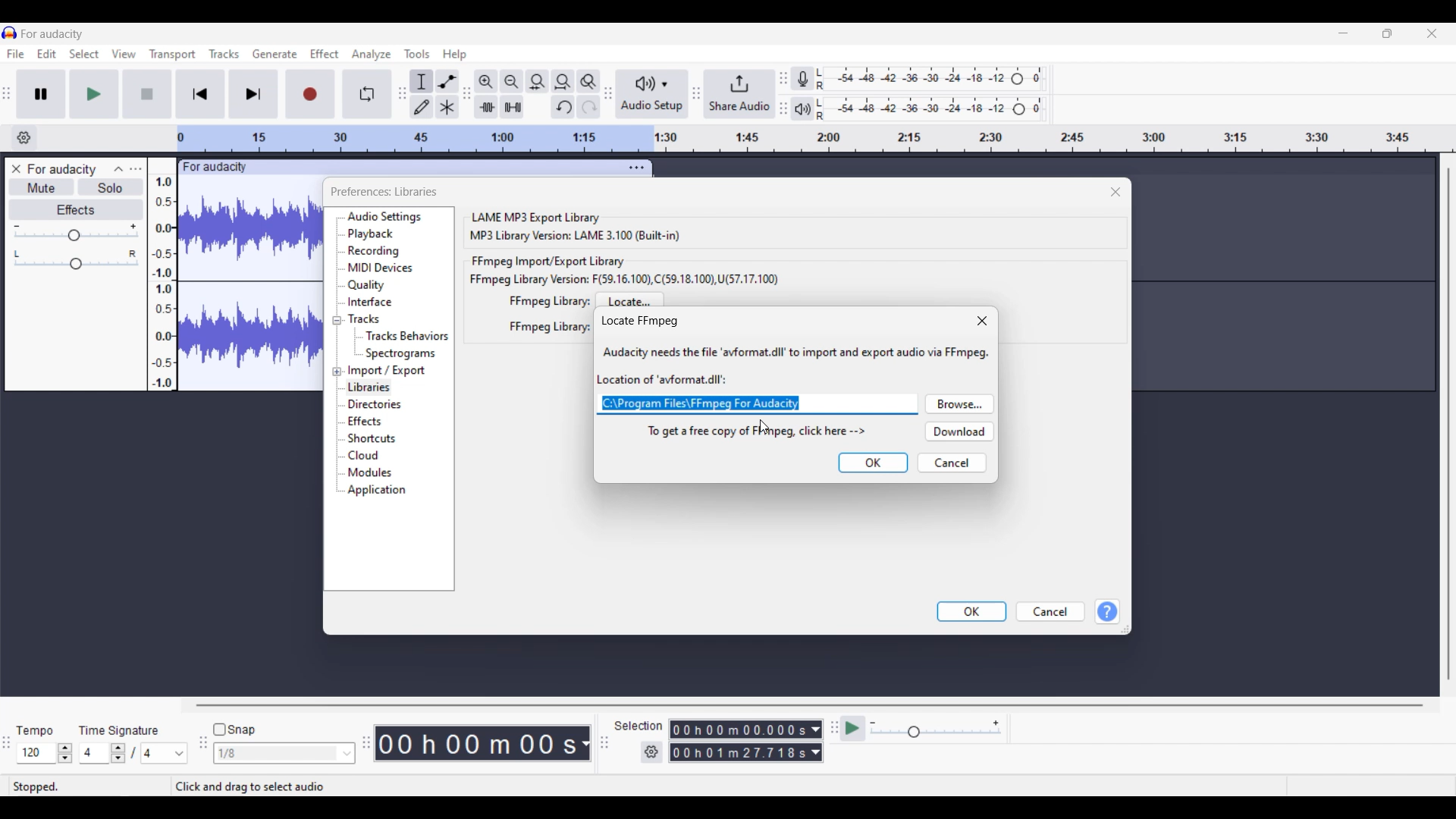 The width and height of the screenshot is (1456, 819). What do you see at coordinates (336, 346) in the screenshot?
I see `expand menu` at bounding box center [336, 346].